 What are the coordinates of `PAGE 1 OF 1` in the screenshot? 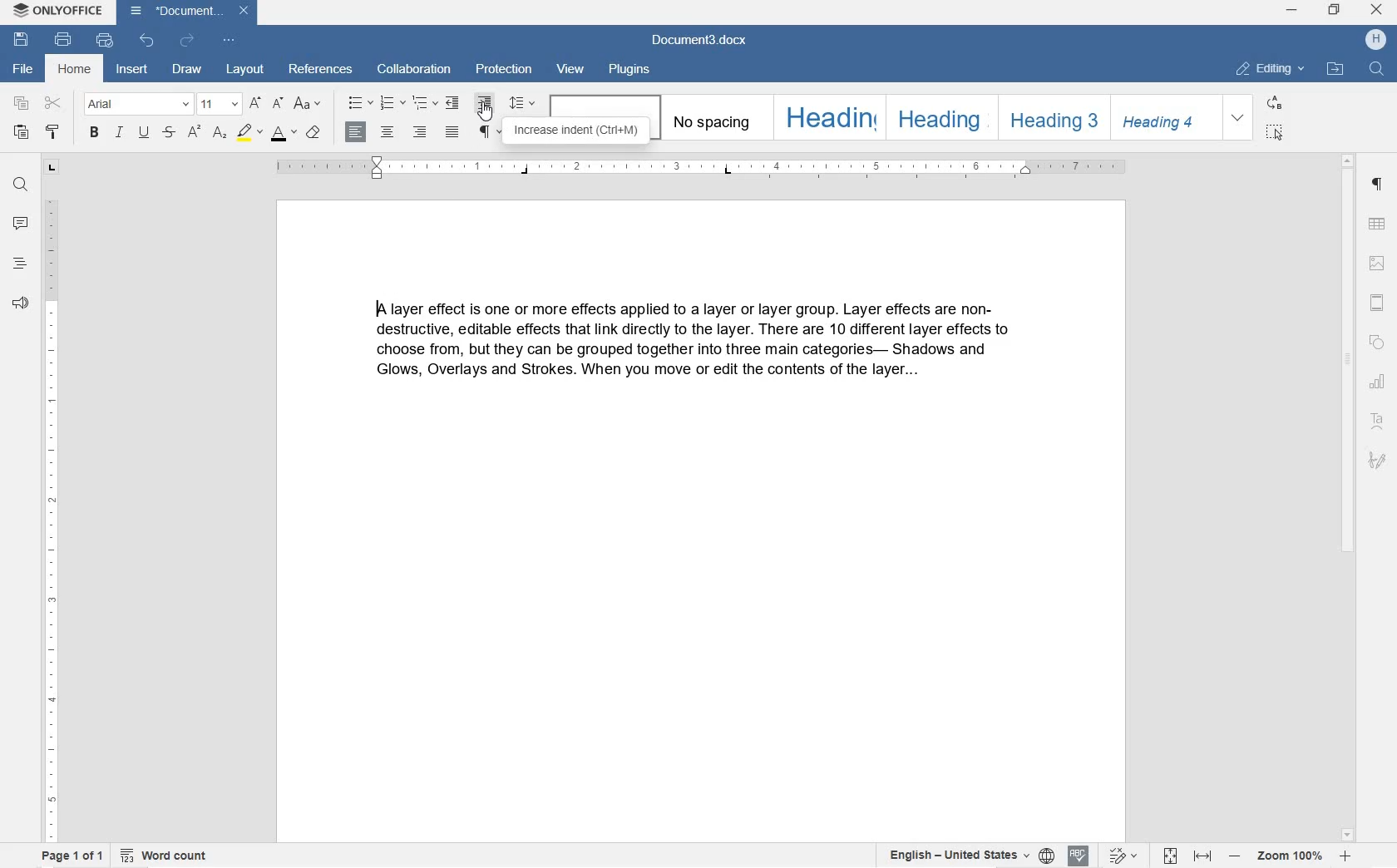 It's located at (71, 856).